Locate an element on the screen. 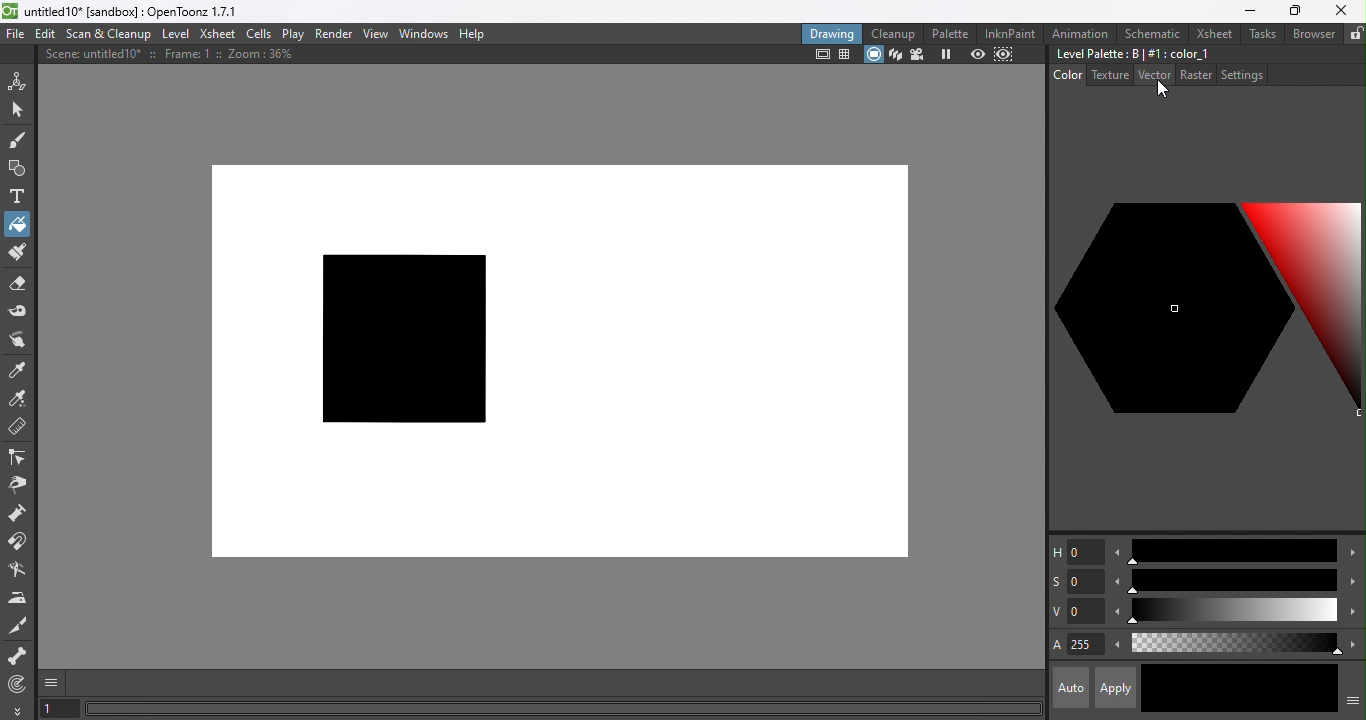 This screenshot has height=720, width=1366. InknPaint is located at coordinates (1014, 33).